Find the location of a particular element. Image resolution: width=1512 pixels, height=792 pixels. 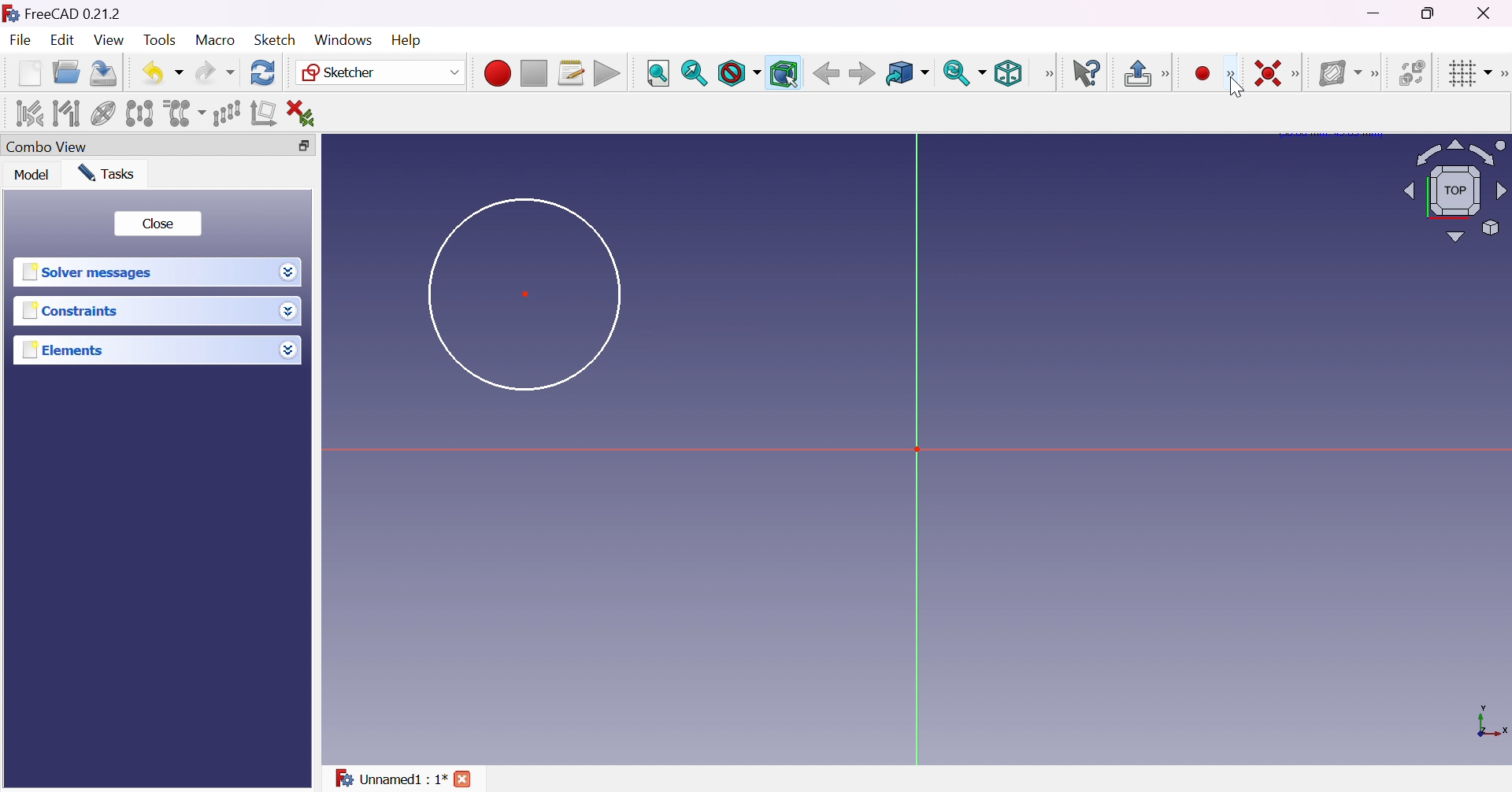

x, y axis is located at coordinates (1490, 723).